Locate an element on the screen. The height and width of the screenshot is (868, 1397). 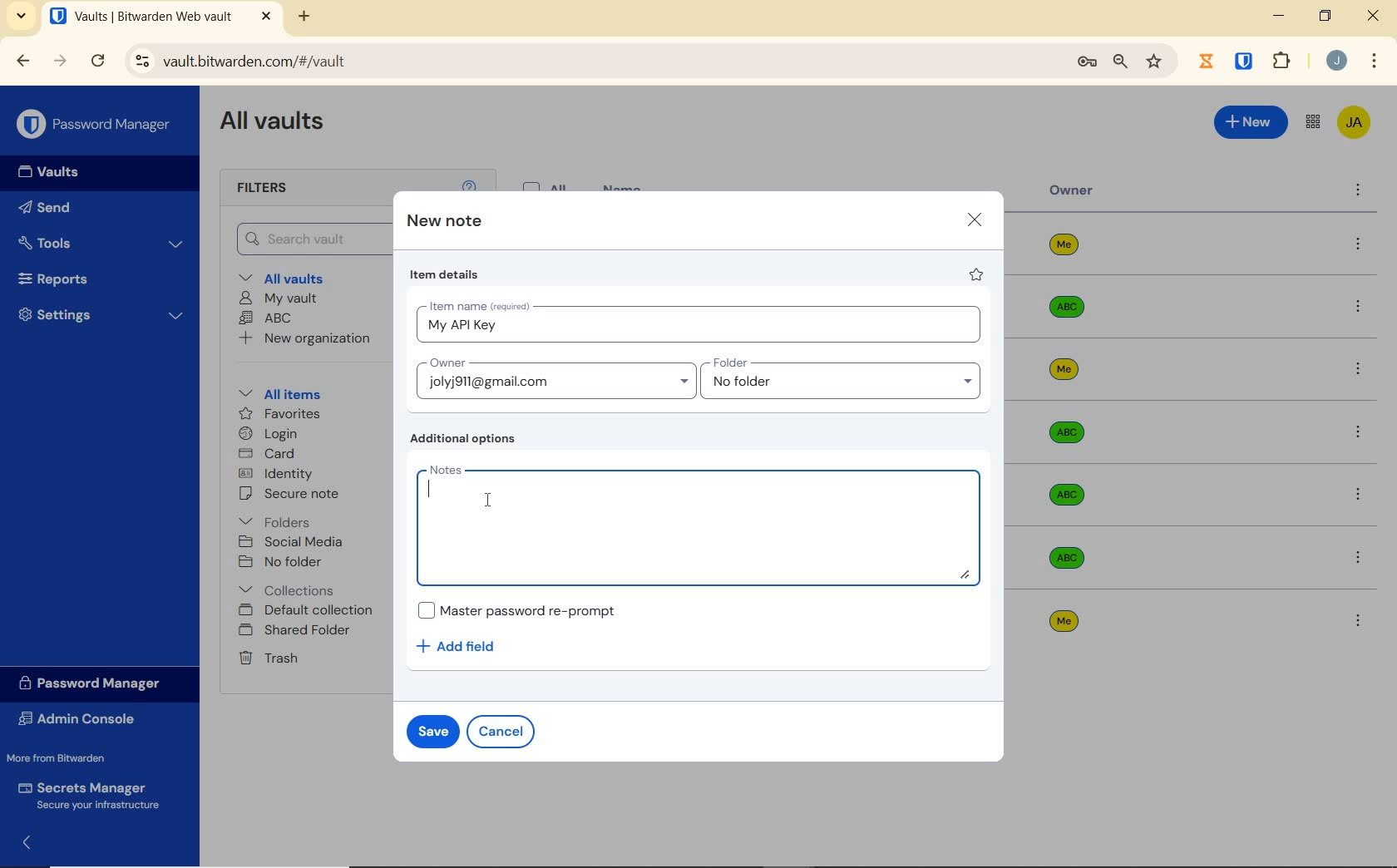
Tools is located at coordinates (101, 241).